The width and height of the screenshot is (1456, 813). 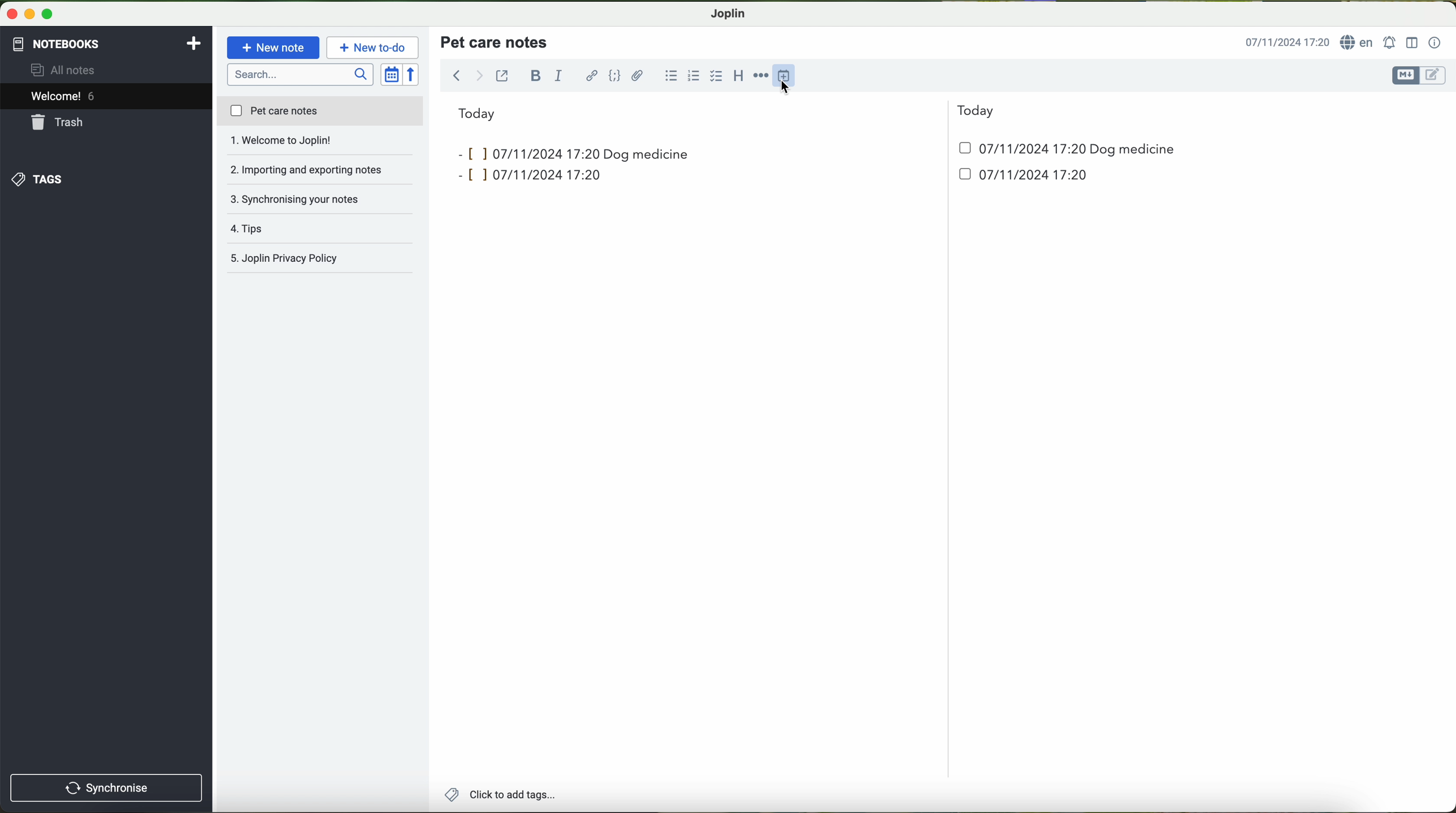 What do you see at coordinates (638, 75) in the screenshot?
I see `attach file` at bounding box center [638, 75].